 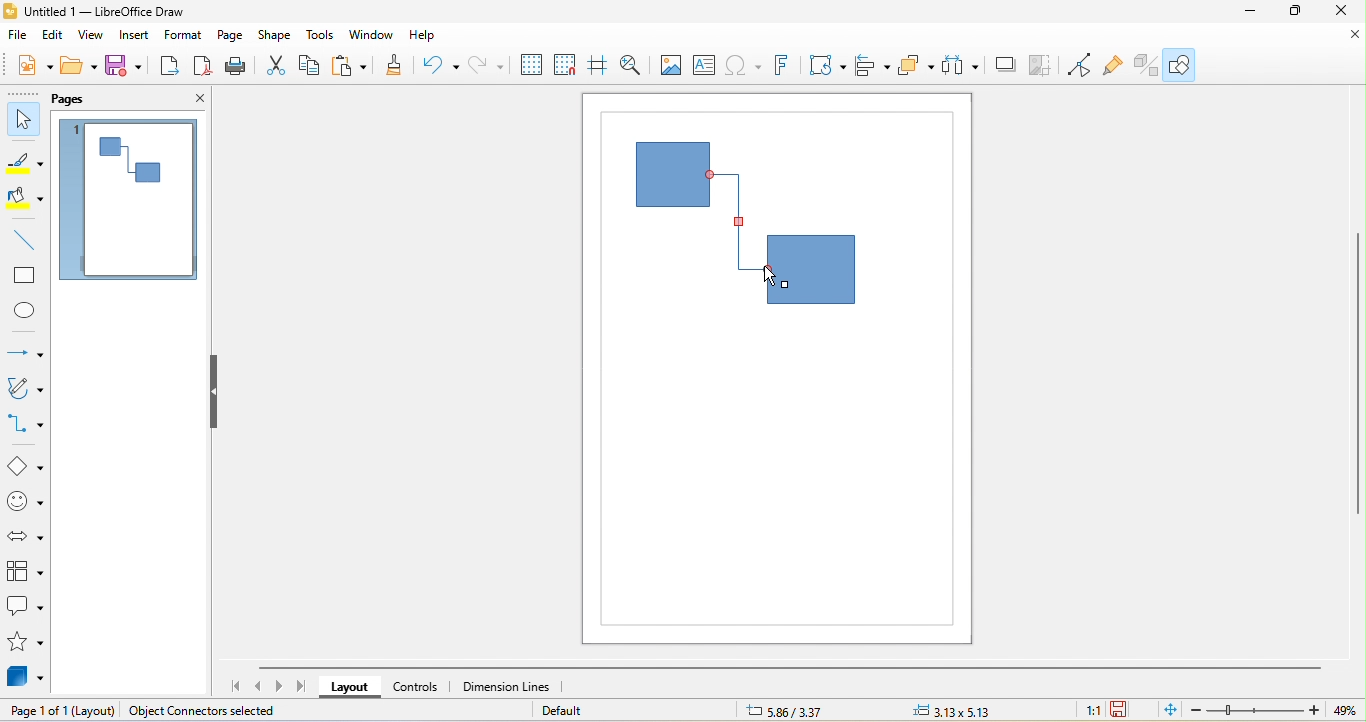 I want to click on paste, so click(x=354, y=66).